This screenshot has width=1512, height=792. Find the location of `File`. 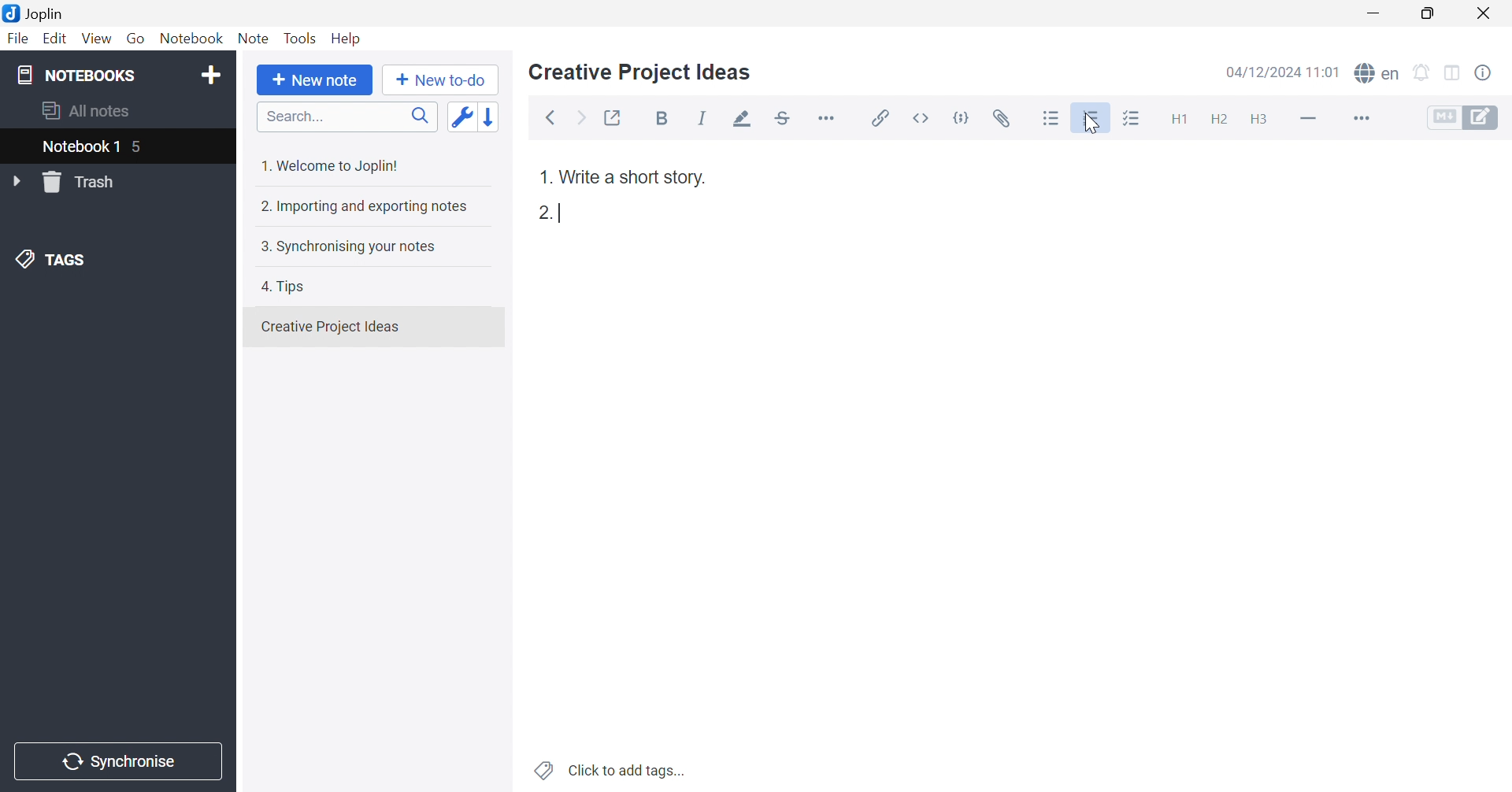

File is located at coordinates (17, 41).